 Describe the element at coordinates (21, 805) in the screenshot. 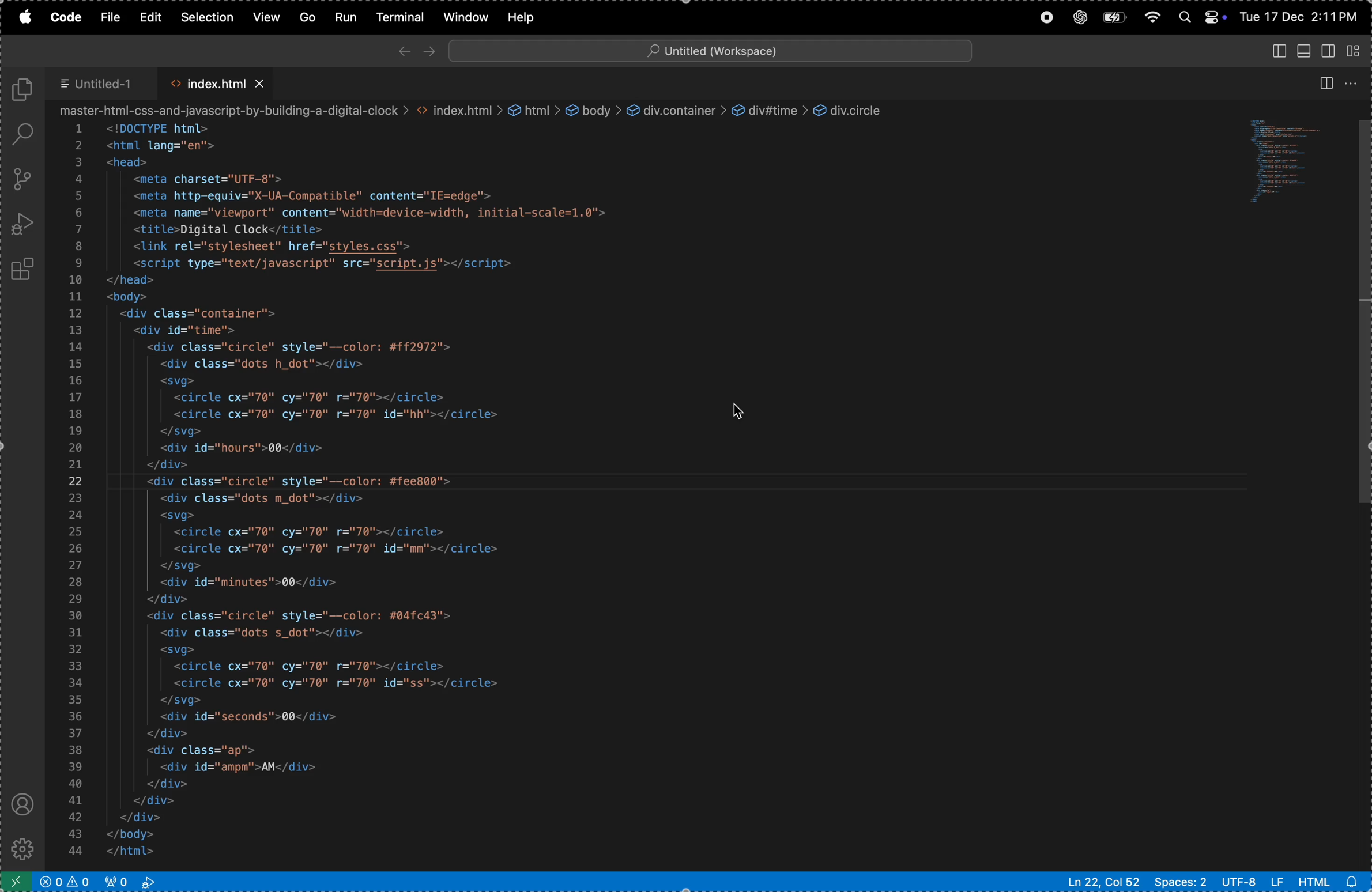

I see `profile` at that location.